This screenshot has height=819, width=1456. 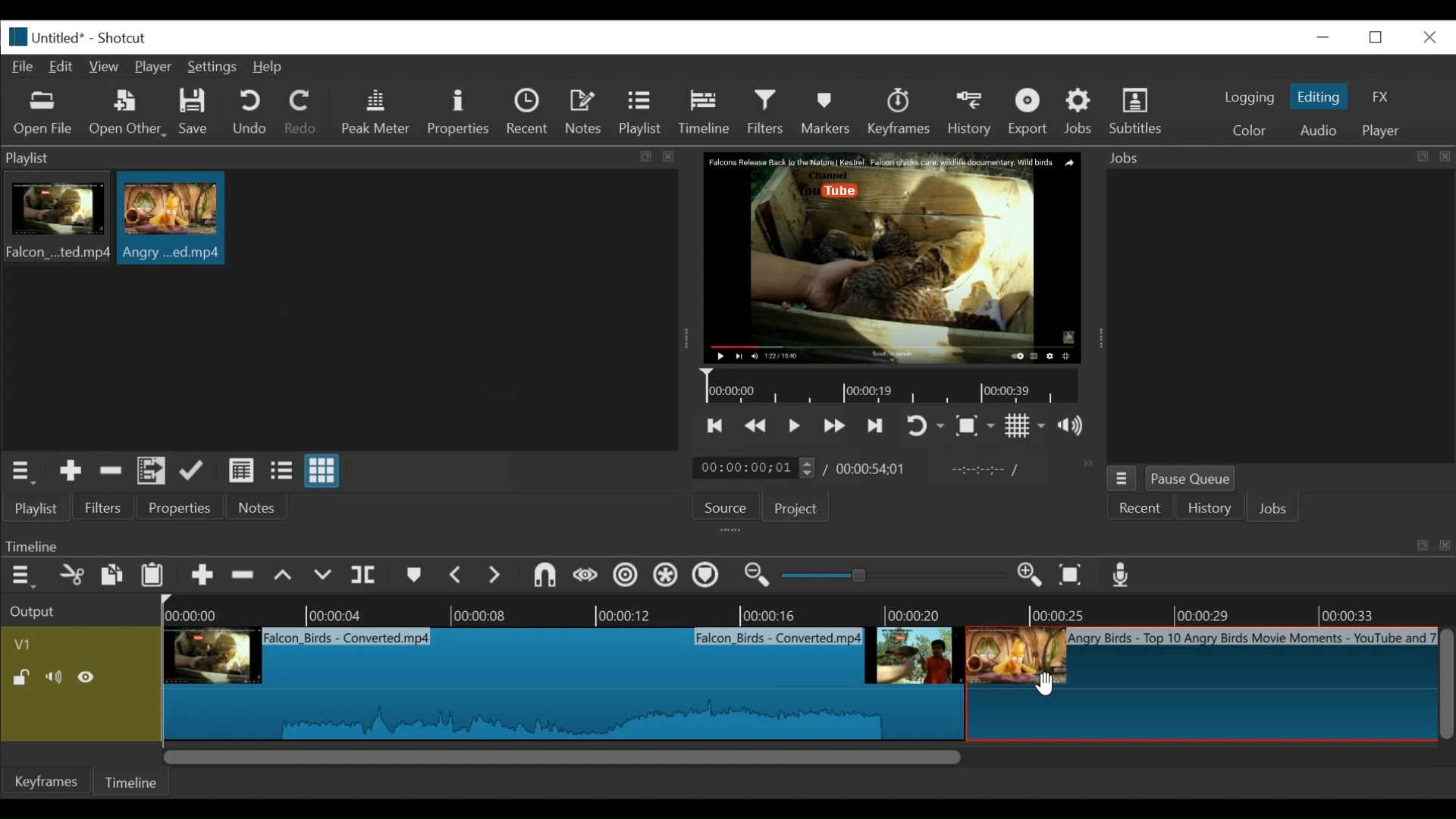 What do you see at coordinates (1122, 476) in the screenshot?
I see `jobs menu` at bounding box center [1122, 476].